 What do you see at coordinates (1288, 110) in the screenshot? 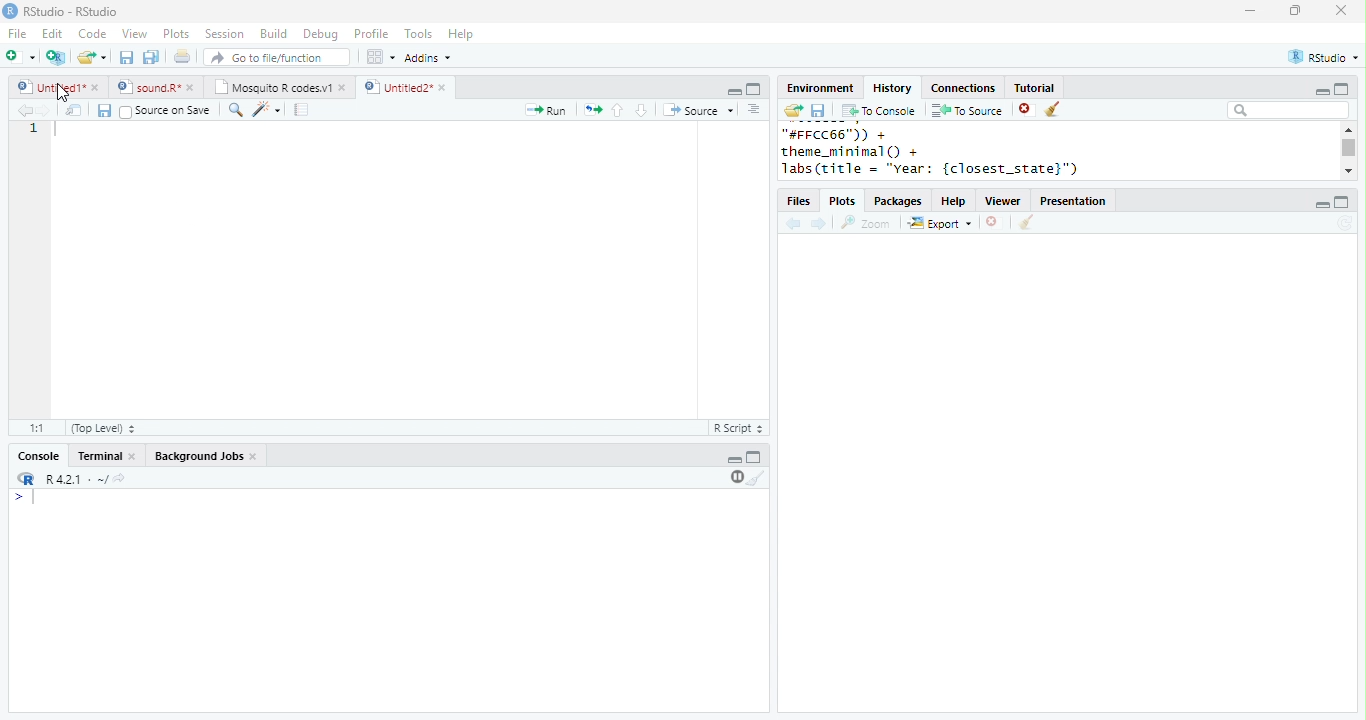
I see `search bar` at bounding box center [1288, 110].